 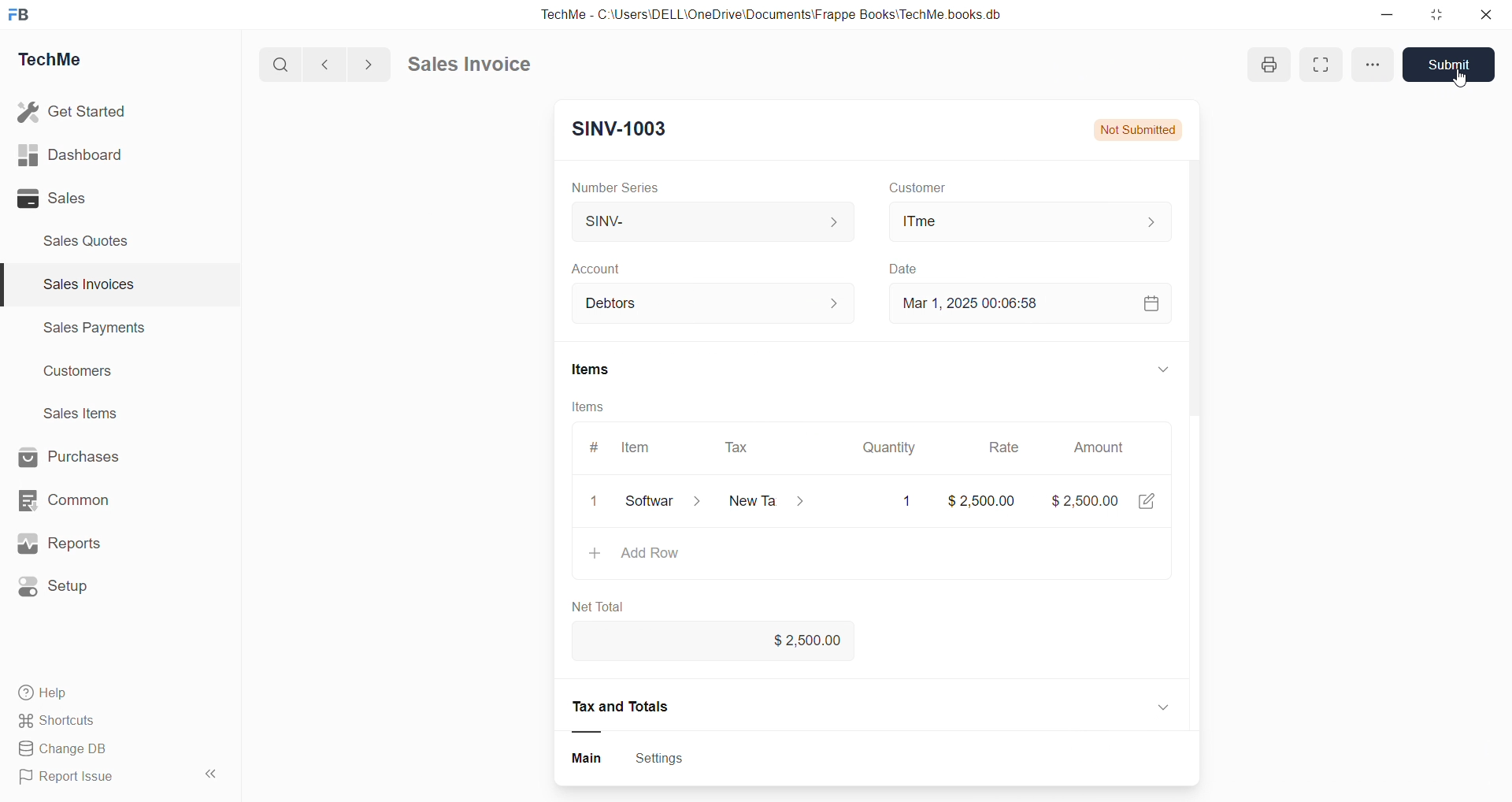 What do you see at coordinates (1111, 500) in the screenshot?
I see `$2,500.00 (4` at bounding box center [1111, 500].